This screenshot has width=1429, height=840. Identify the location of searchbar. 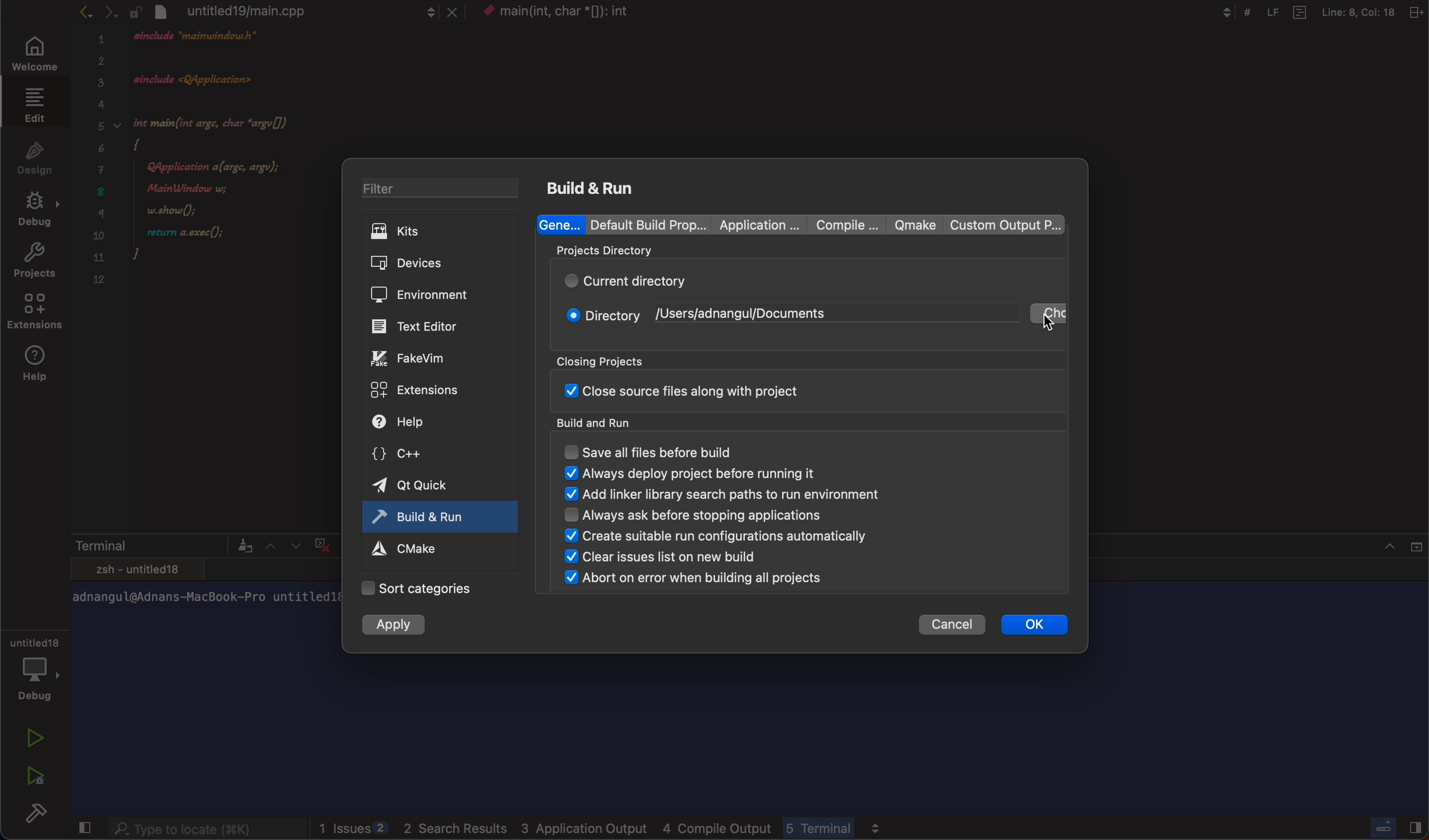
(197, 826).